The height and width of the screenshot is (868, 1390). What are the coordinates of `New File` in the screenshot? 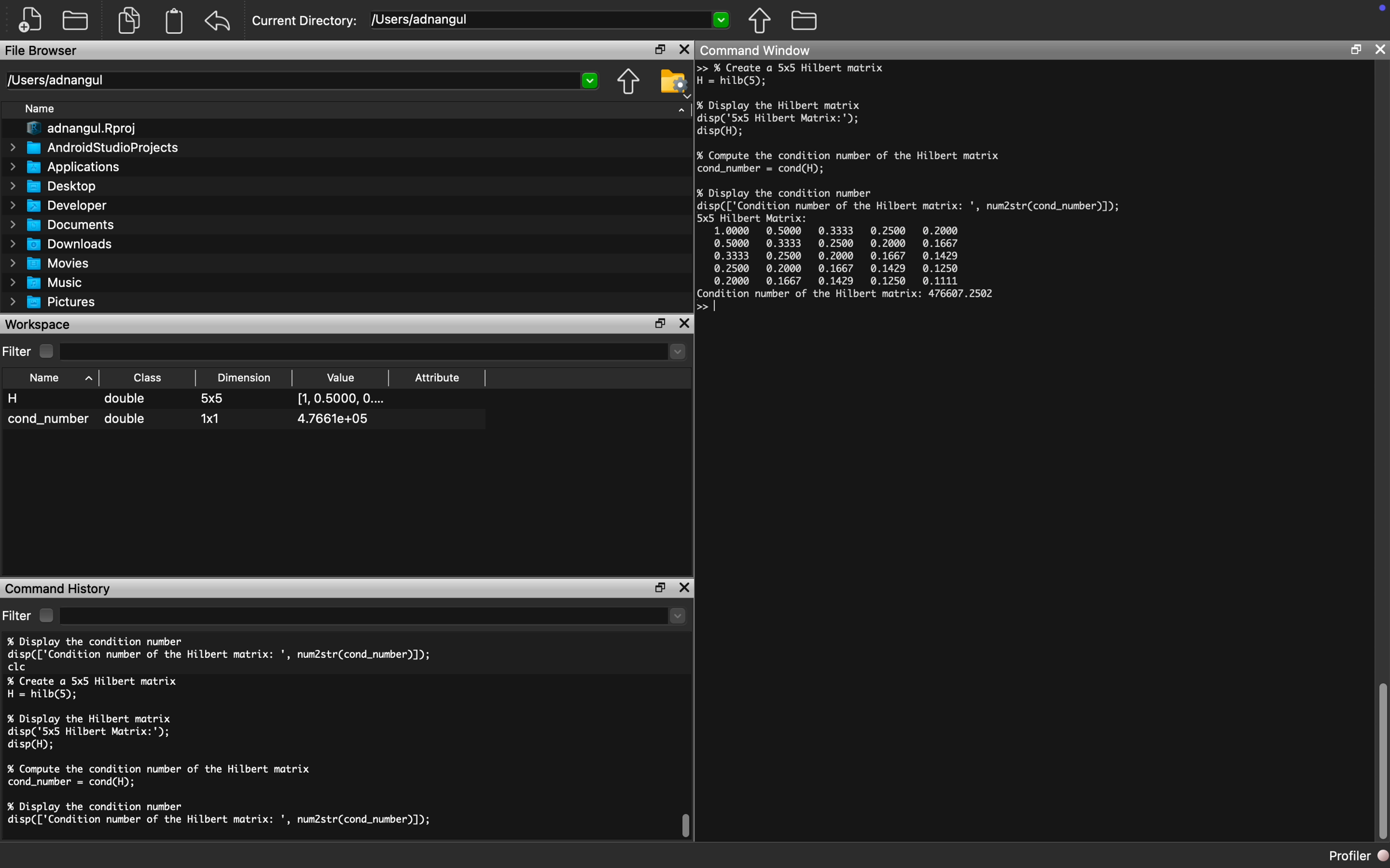 It's located at (28, 21).